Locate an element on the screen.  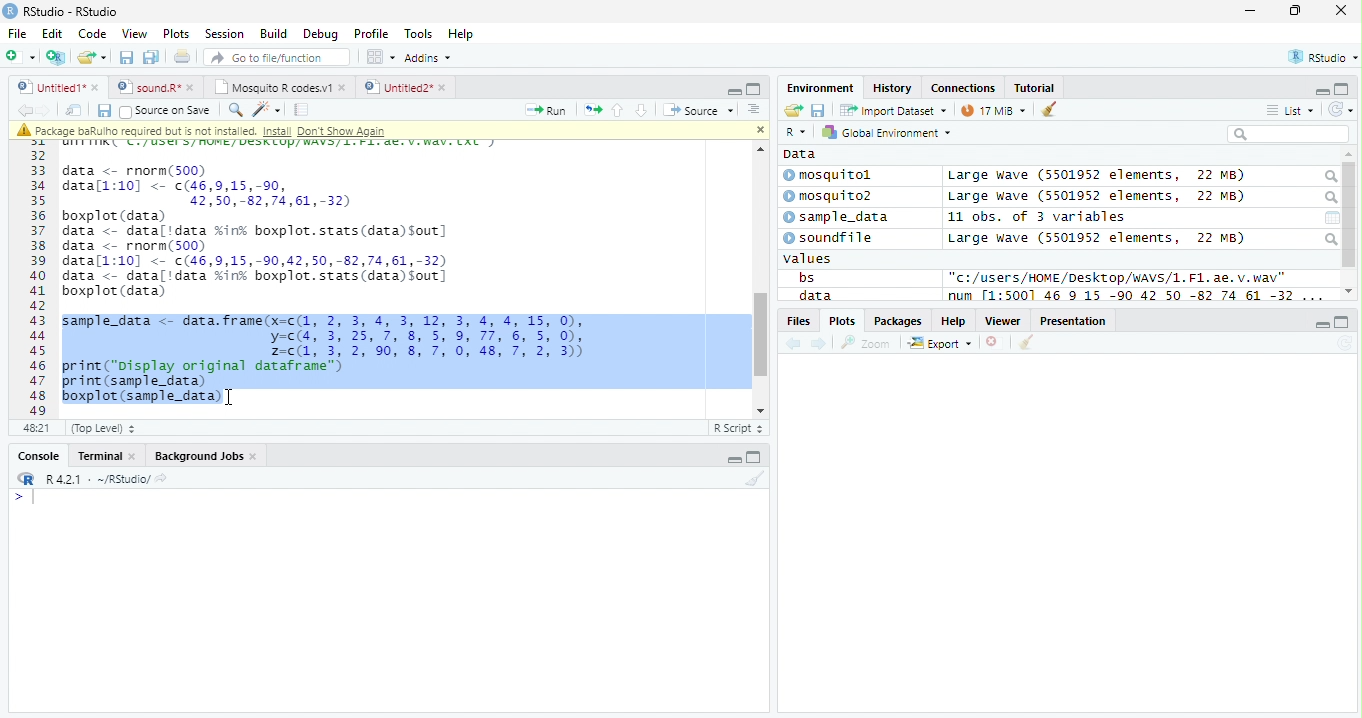
maximize is located at coordinates (1294, 10).